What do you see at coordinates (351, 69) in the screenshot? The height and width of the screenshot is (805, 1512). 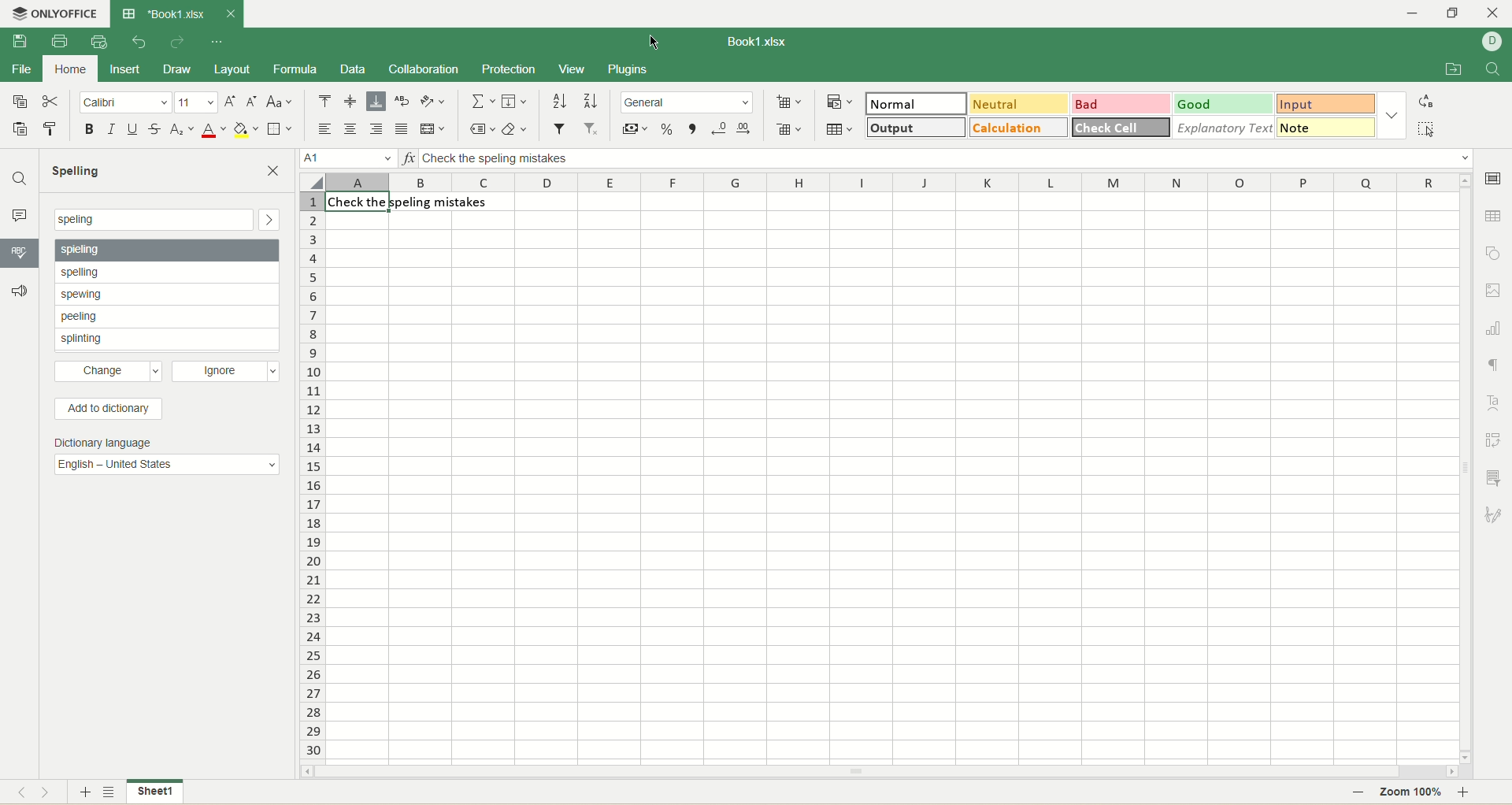 I see `data` at bounding box center [351, 69].